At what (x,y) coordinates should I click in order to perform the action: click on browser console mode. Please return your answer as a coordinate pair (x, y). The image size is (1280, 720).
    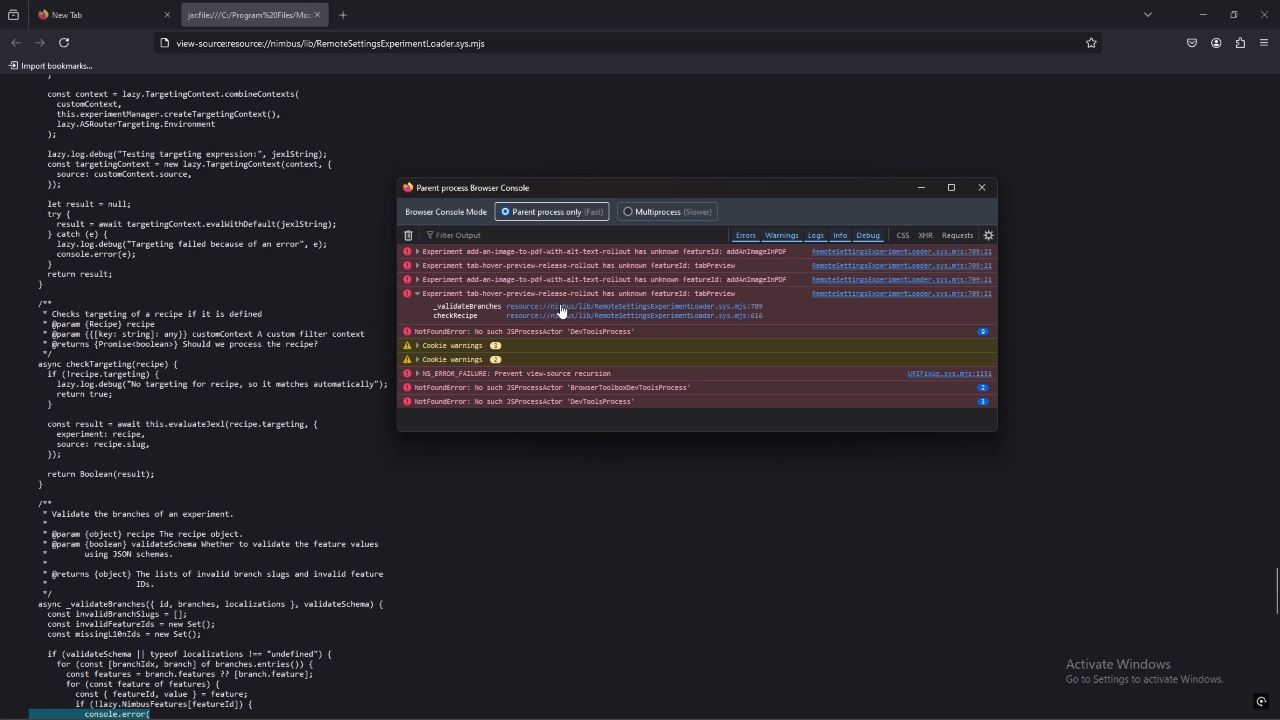
    Looking at the image, I should click on (446, 211).